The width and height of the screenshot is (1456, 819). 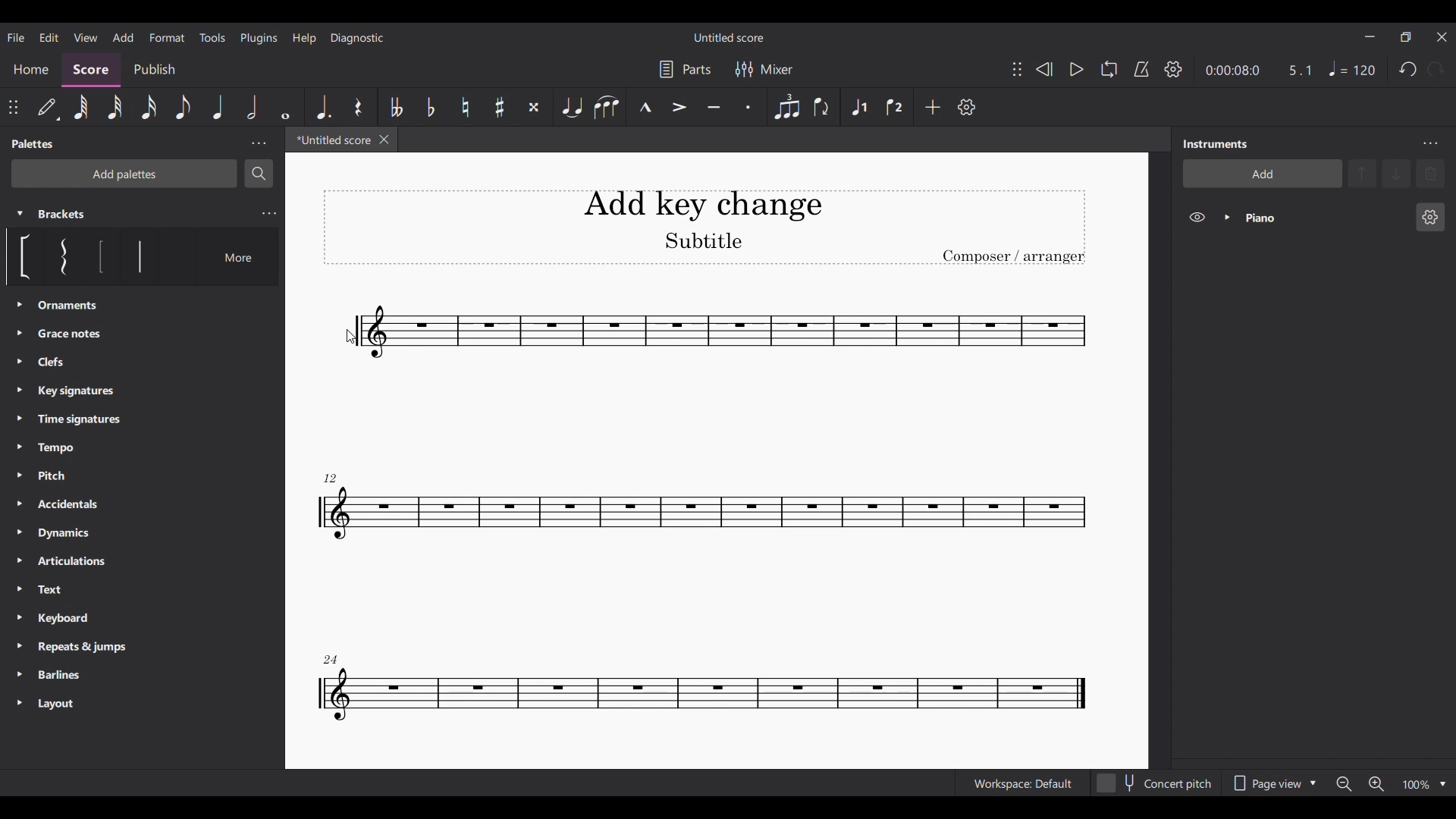 I want to click on Rewind, so click(x=1043, y=68).